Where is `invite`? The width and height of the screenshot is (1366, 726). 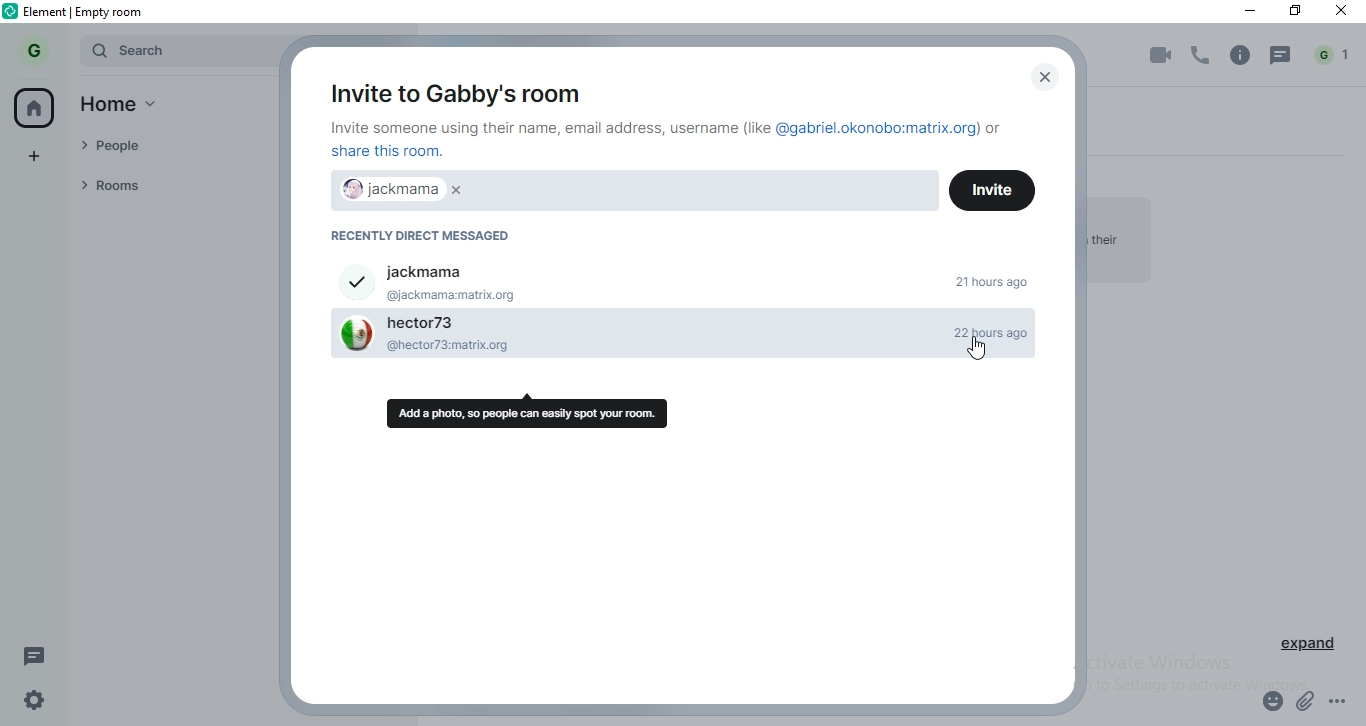 invite is located at coordinates (991, 188).